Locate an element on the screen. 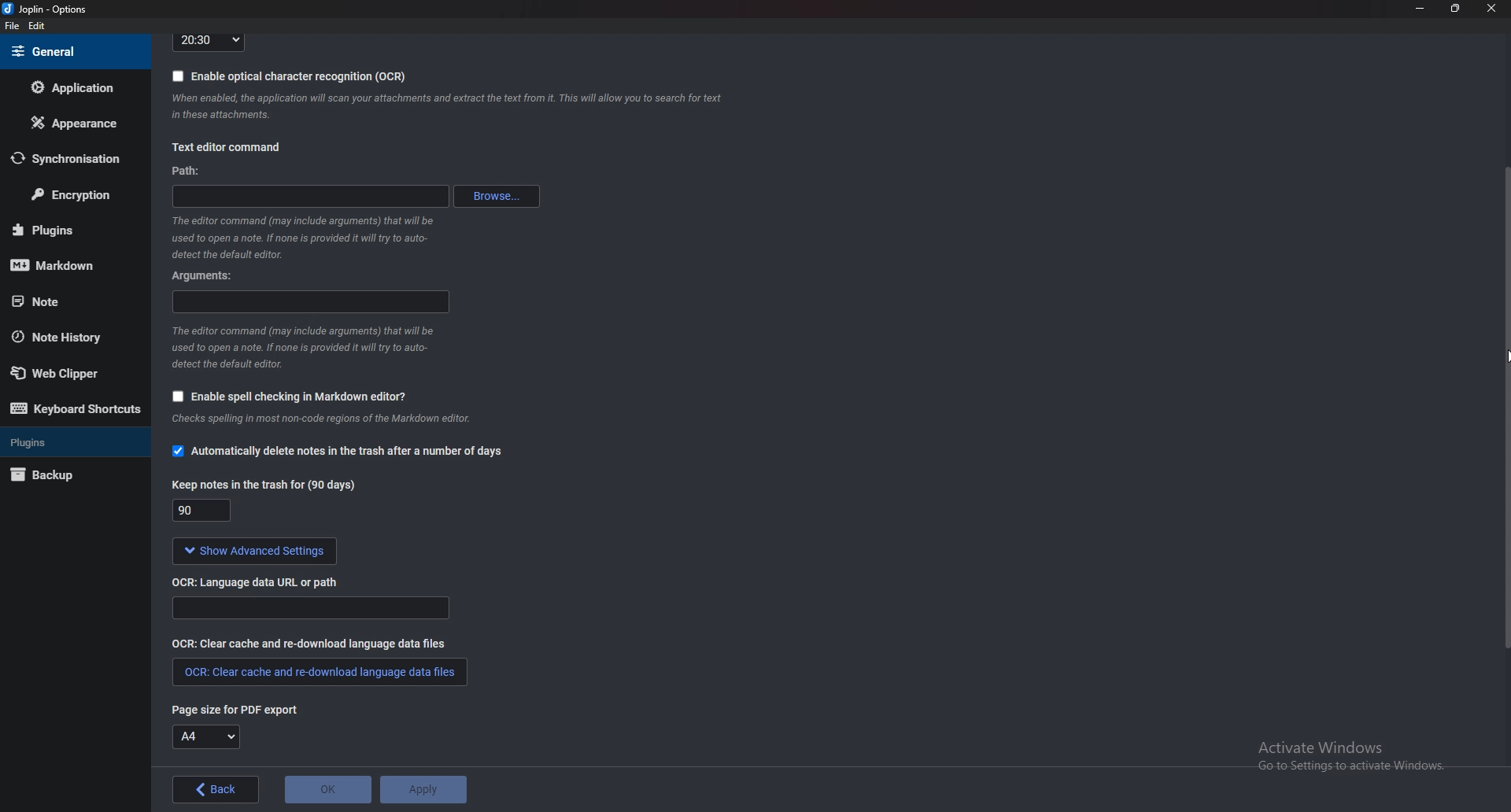  Application is located at coordinates (73, 87).